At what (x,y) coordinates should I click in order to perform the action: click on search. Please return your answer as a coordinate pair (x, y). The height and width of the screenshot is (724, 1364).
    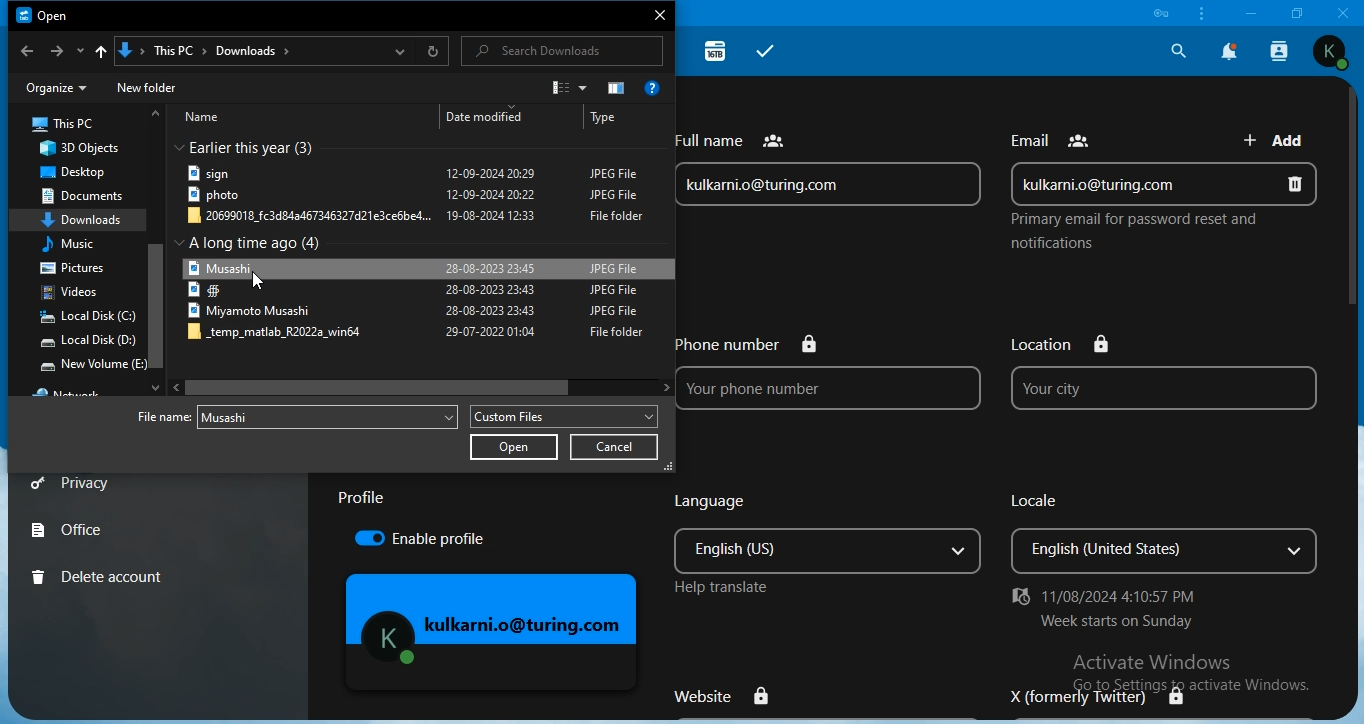
    Looking at the image, I should click on (558, 53).